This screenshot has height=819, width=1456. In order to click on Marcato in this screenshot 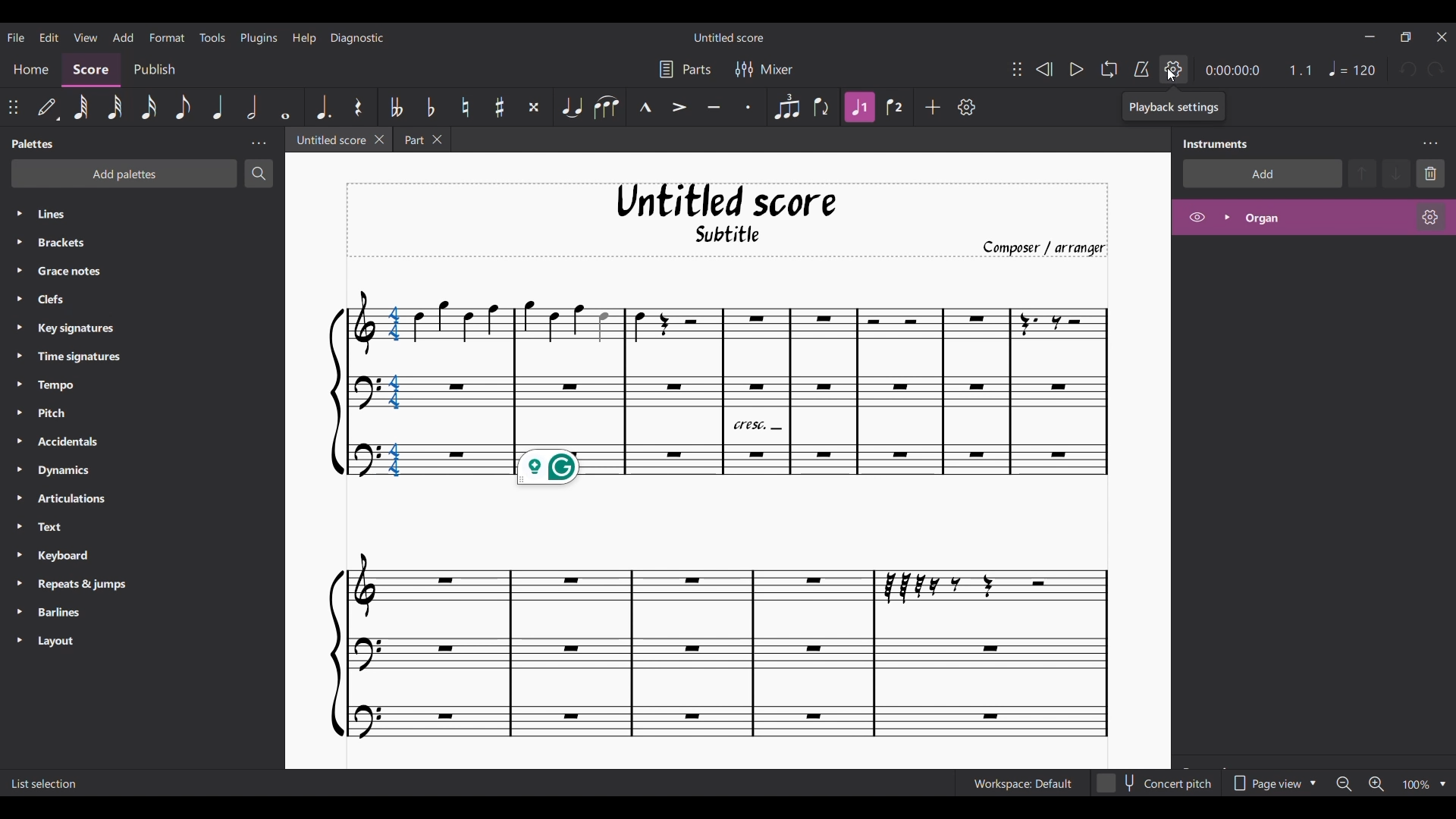, I will do `click(645, 107)`.